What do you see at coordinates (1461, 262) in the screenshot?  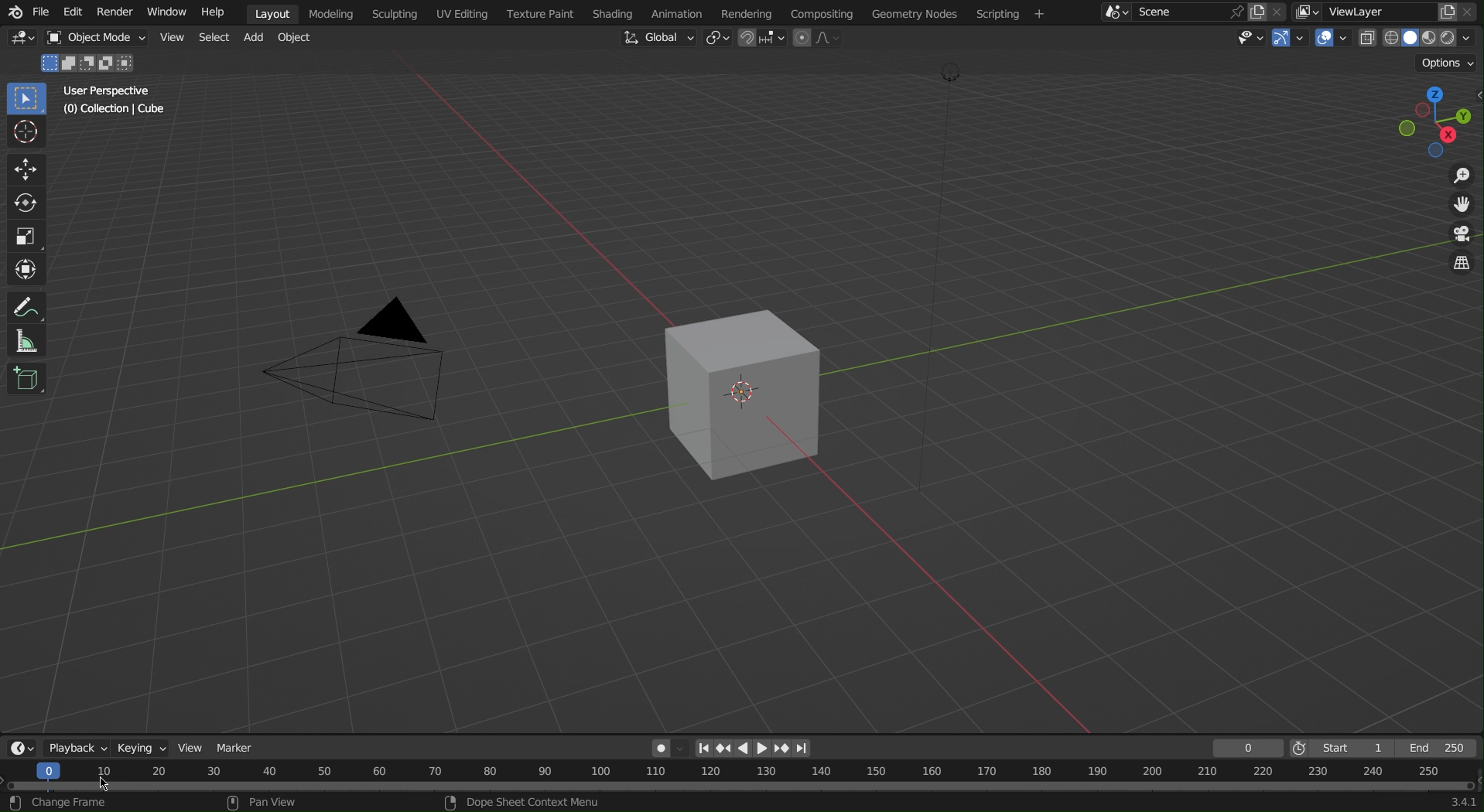 I see `Toggle Views` at bounding box center [1461, 262].